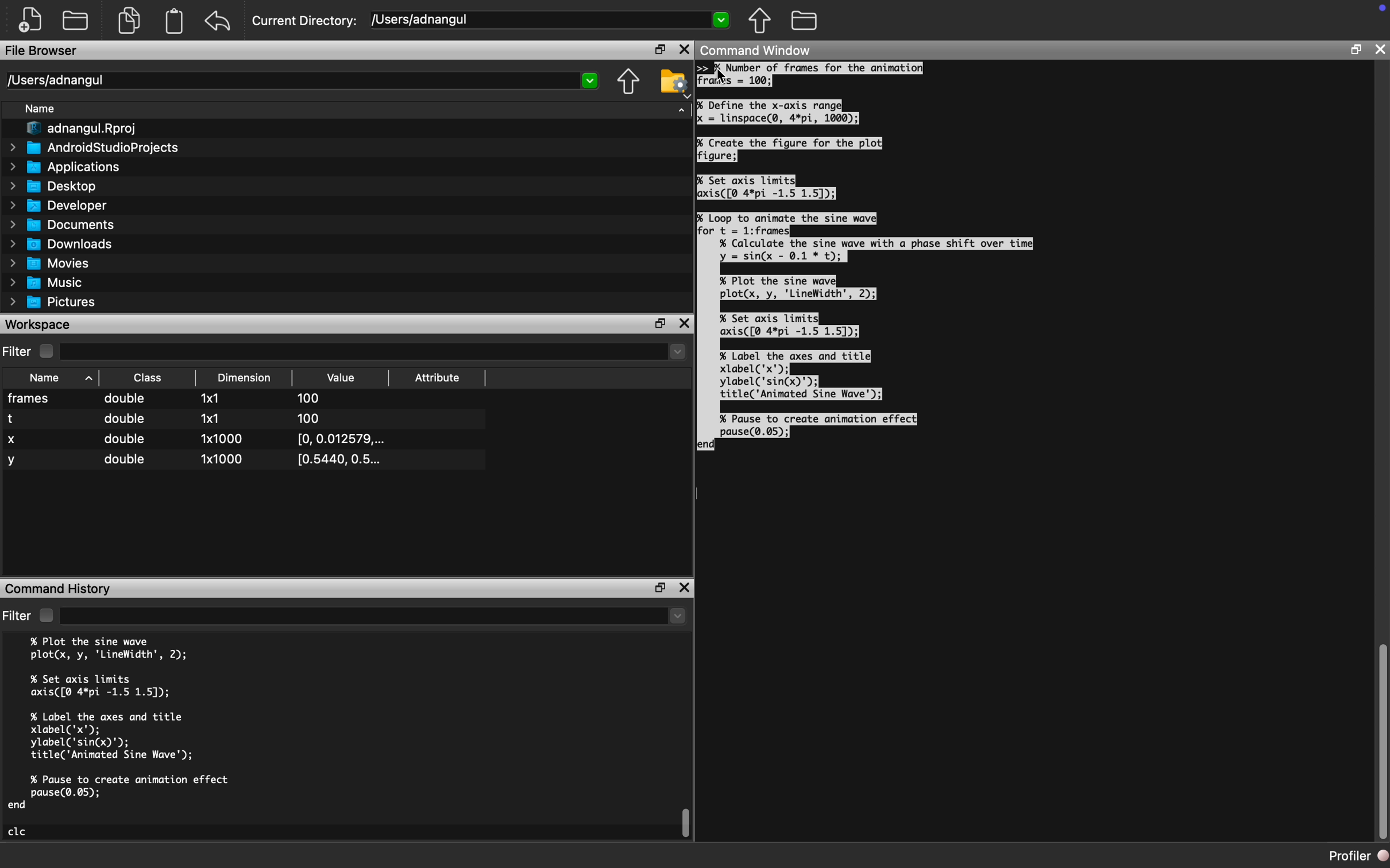  Describe the element at coordinates (210, 398) in the screenshot. I see `1x1` at that location.